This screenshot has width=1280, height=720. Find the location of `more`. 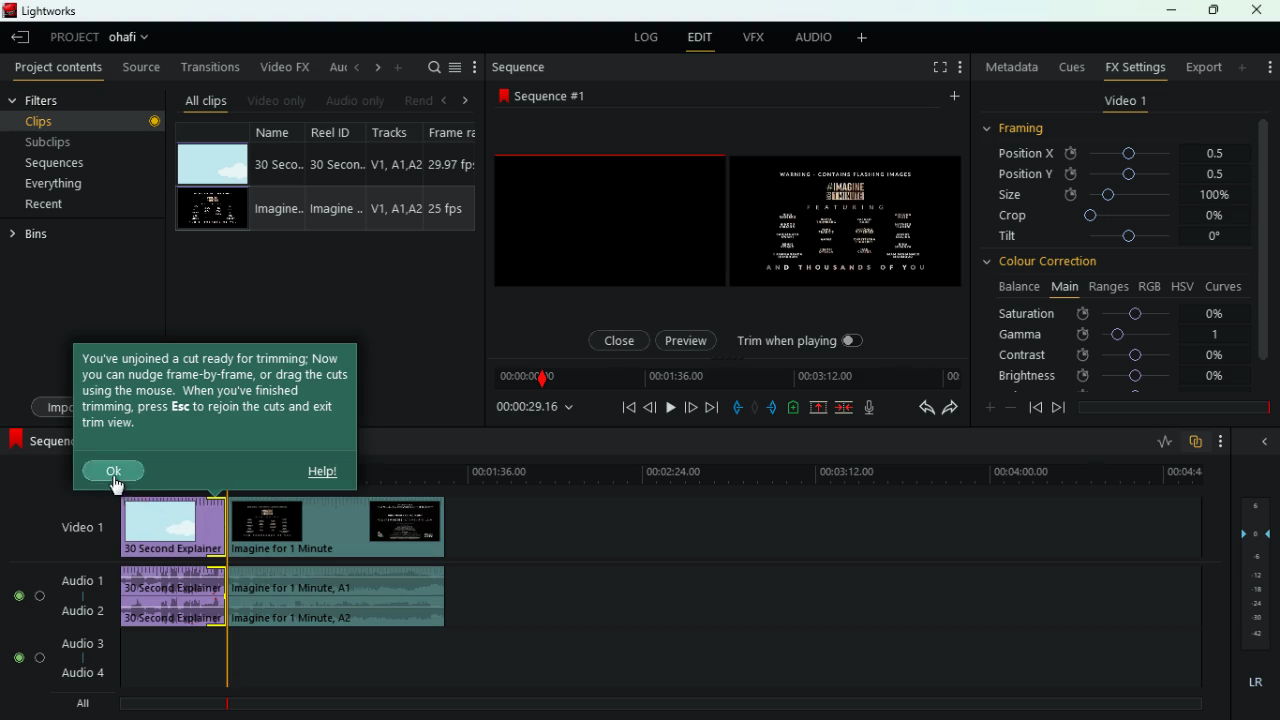

more is located at coordinates (952, 99).